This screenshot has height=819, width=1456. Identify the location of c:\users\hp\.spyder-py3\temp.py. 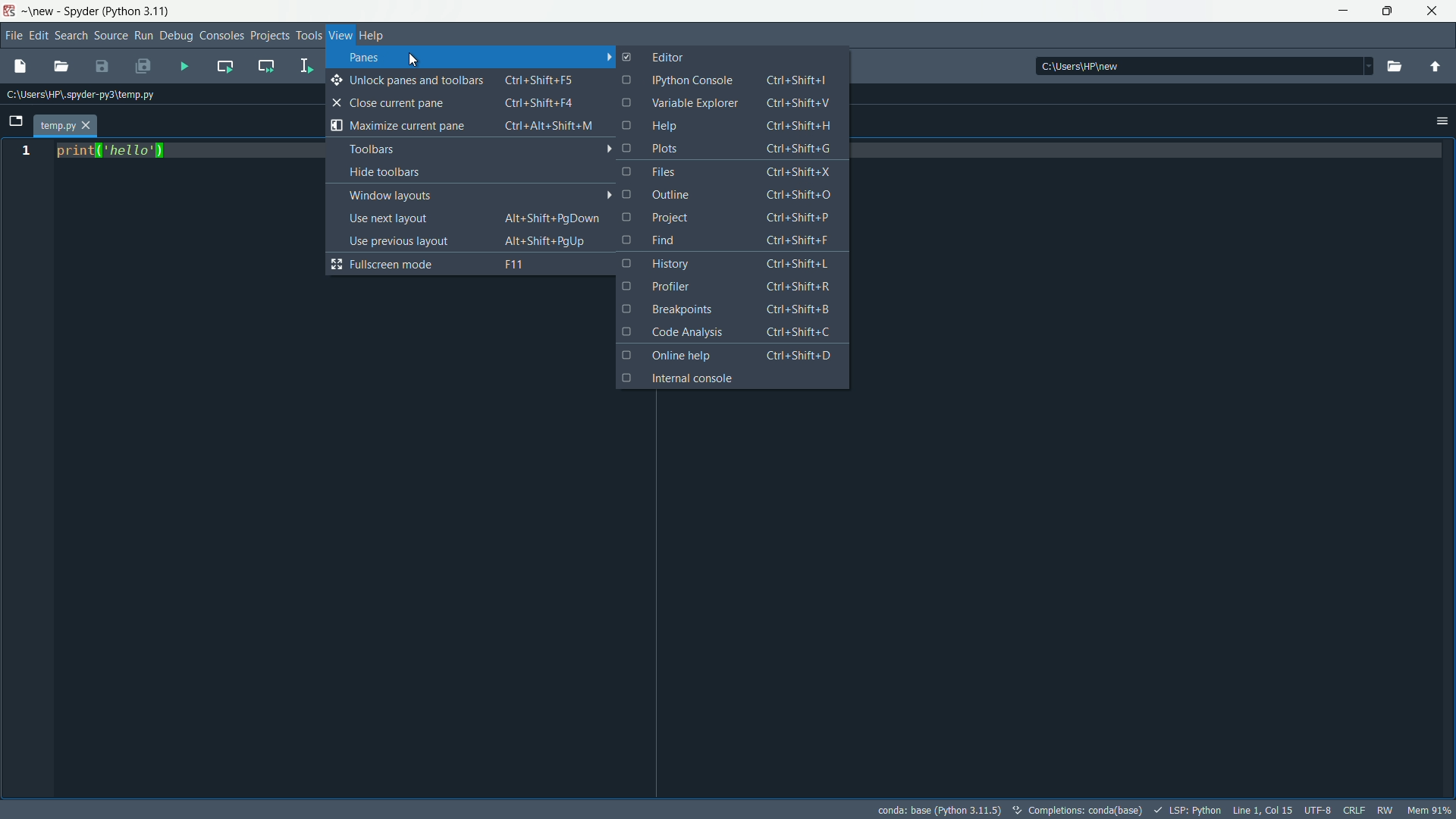
(83, 96).